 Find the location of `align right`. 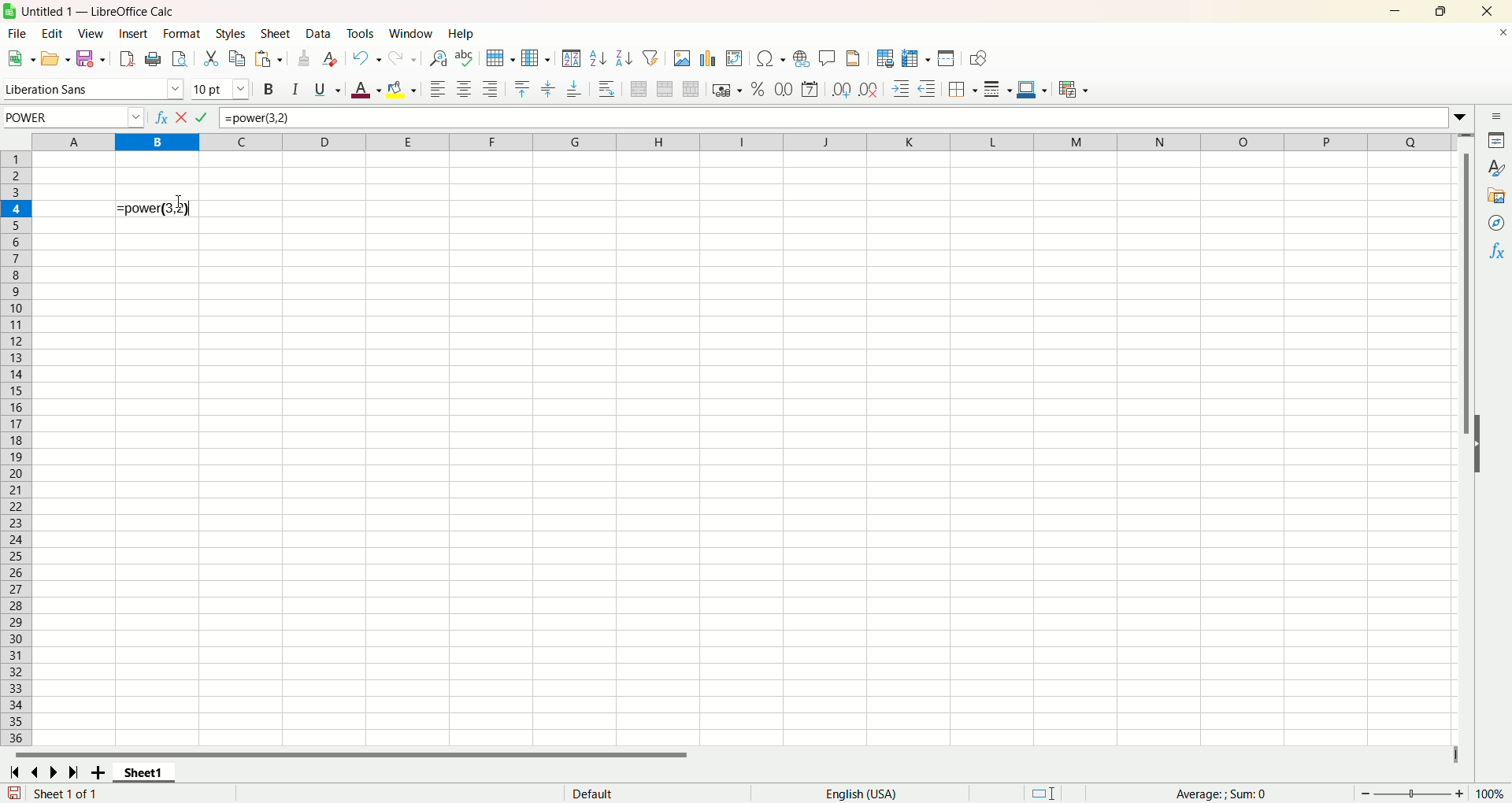

align right is located at coordinates (492, 91).